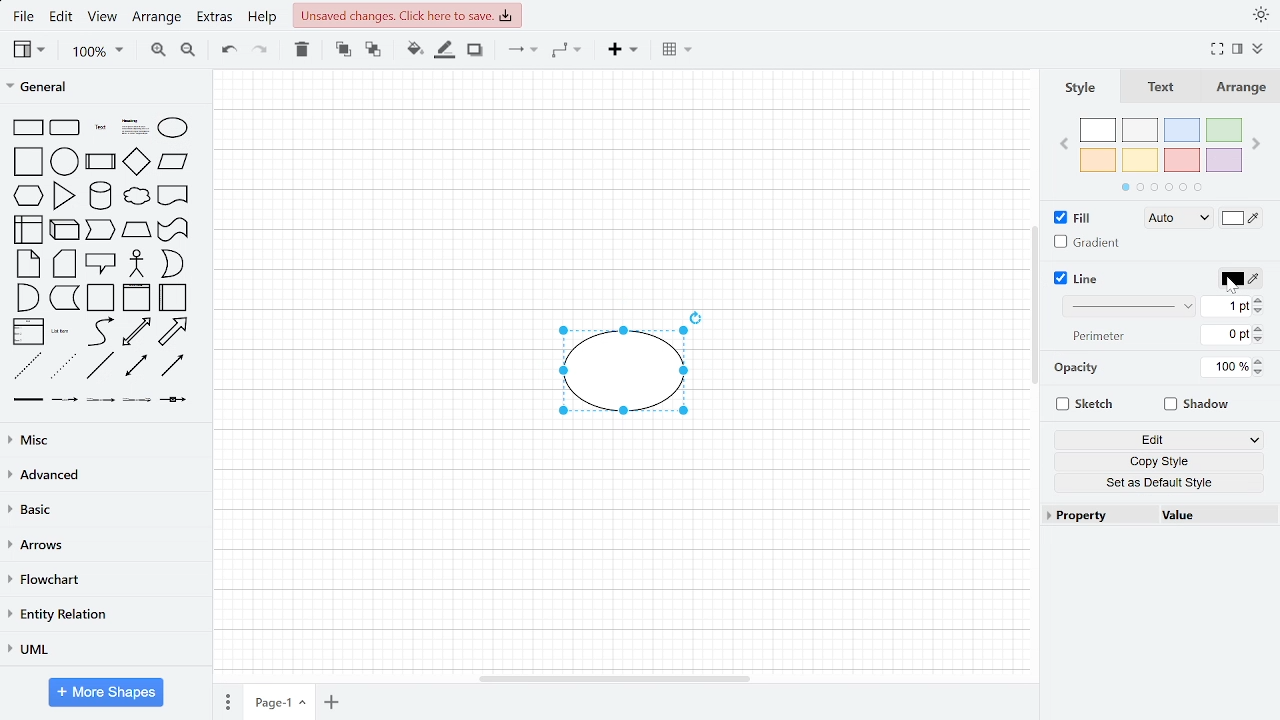  What do you see at coordinates (101, 263) in the screenshot?
I see `callout` at bounding box center [101, 263].